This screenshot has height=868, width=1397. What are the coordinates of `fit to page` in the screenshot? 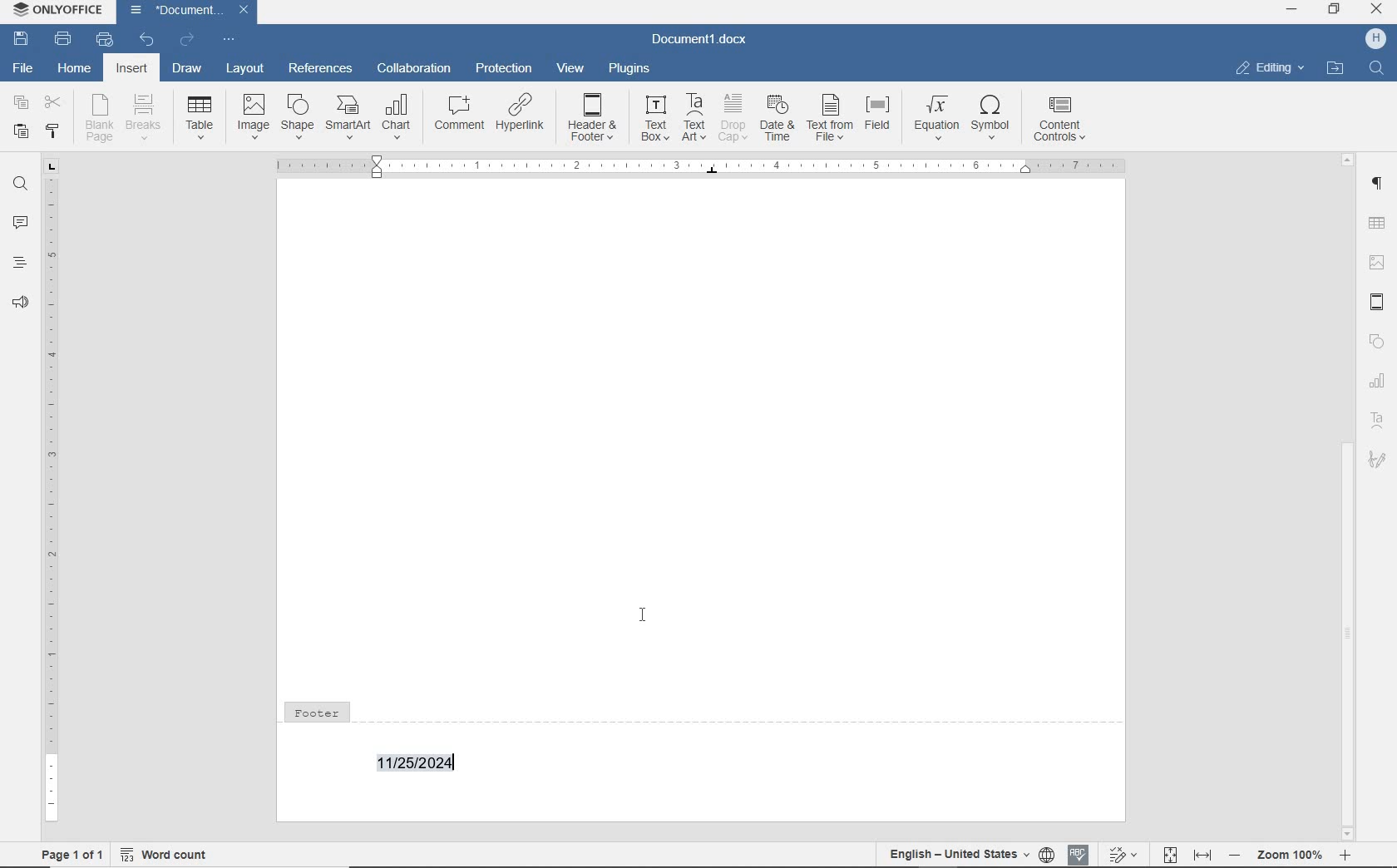 It's located at (1169, 854).